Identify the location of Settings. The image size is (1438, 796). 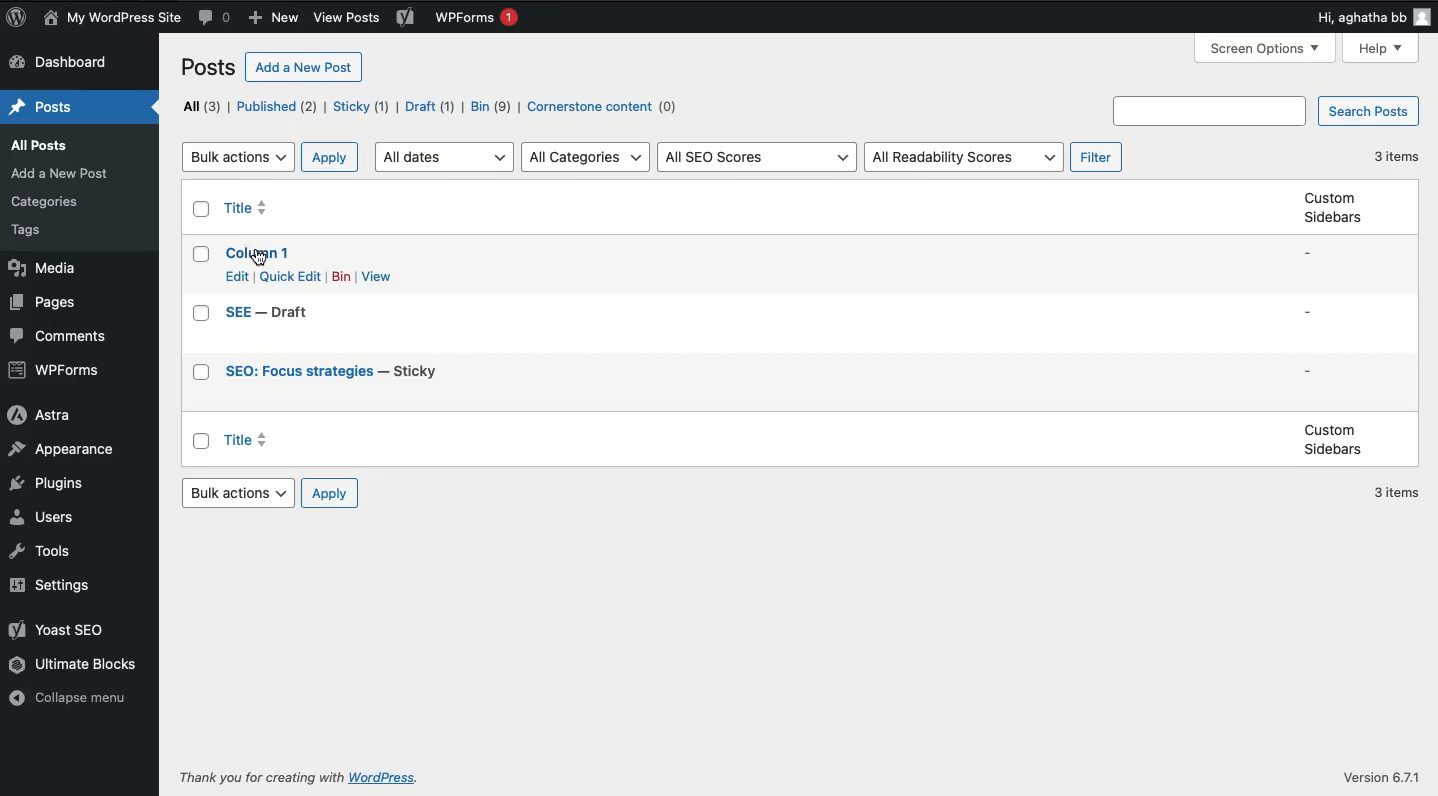
(51, 584).